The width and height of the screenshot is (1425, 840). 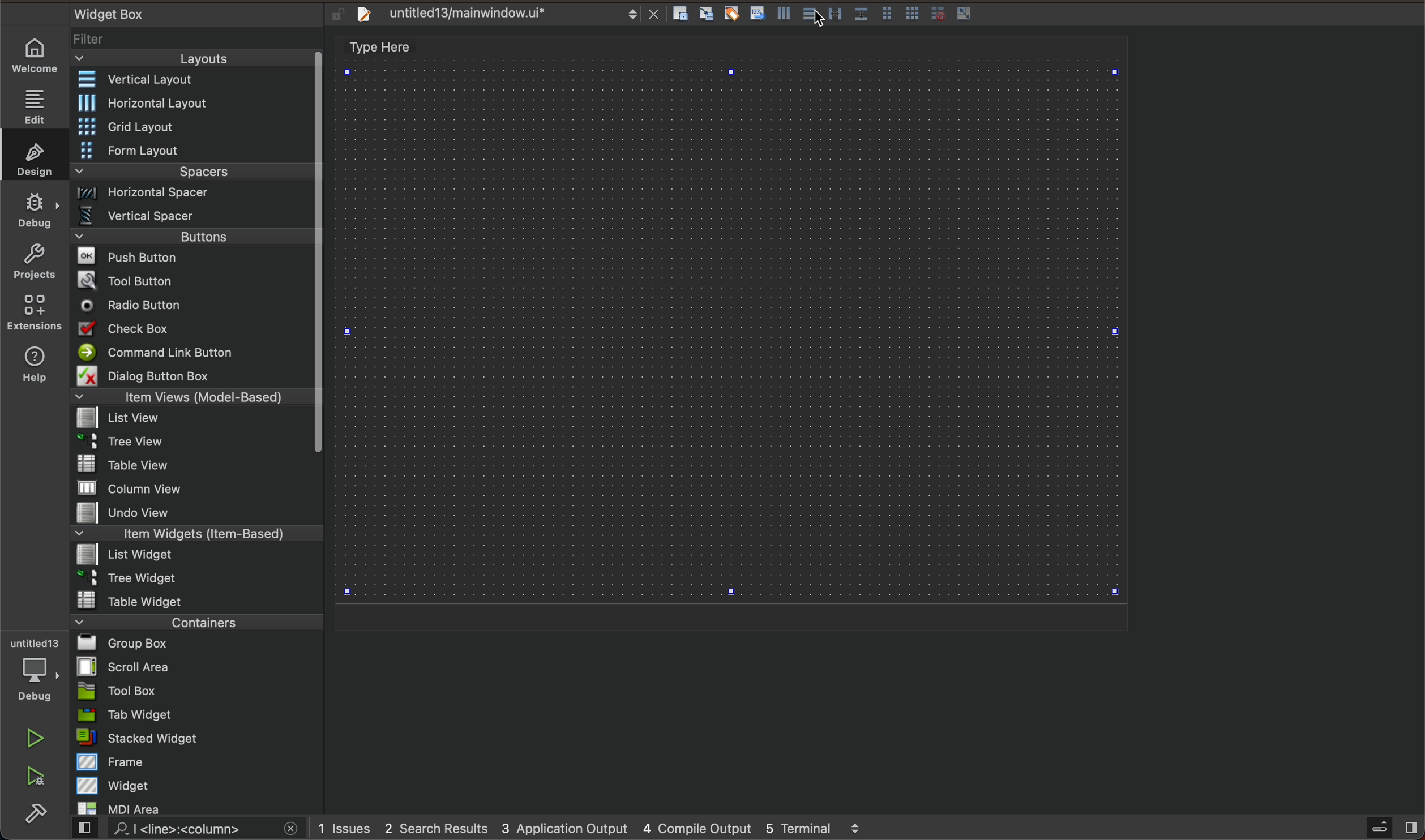 What do you see at coordinates (195, 329) in the screenshot?
I see `checkbox` at bounding box center [195, 329].